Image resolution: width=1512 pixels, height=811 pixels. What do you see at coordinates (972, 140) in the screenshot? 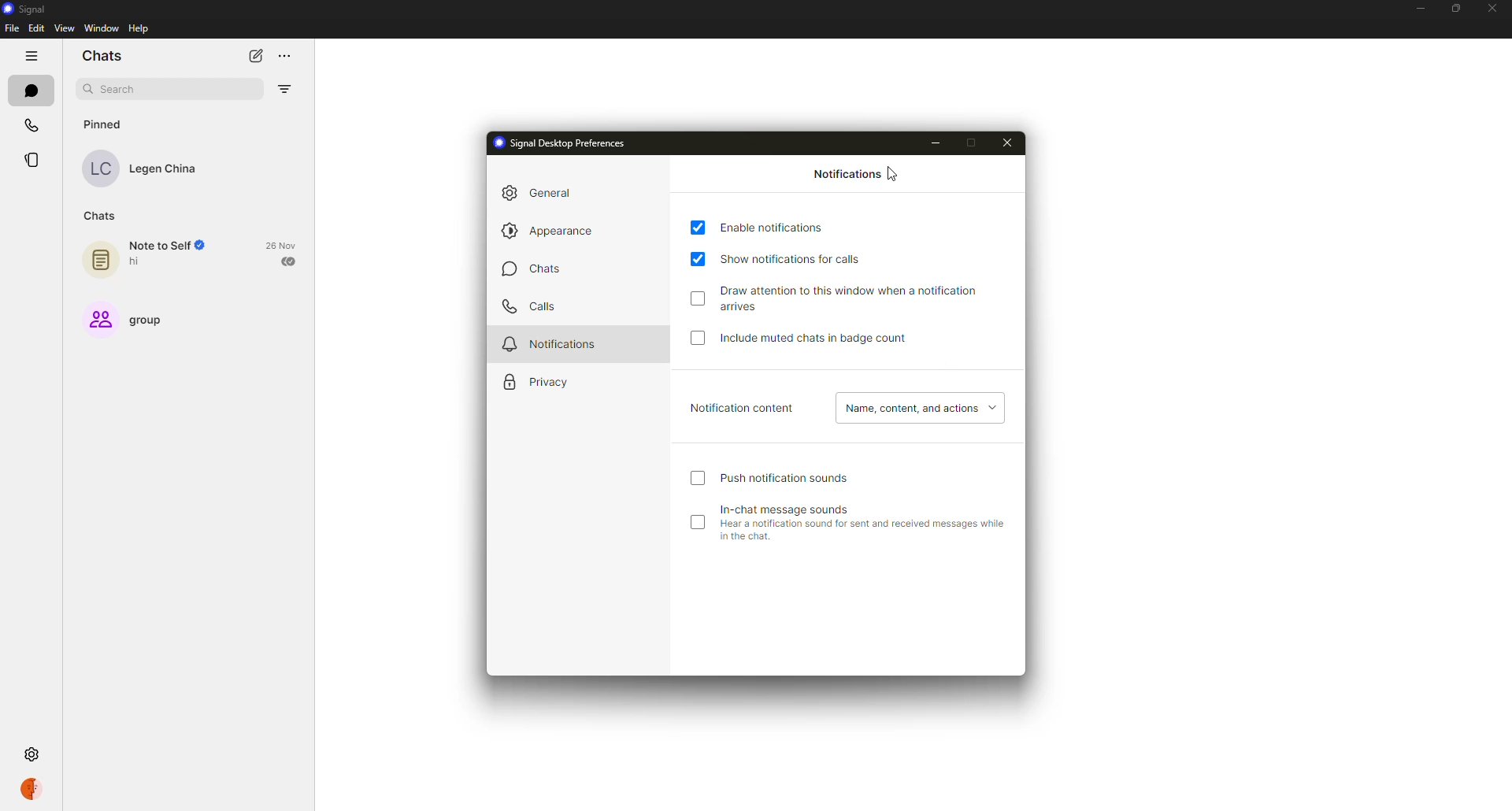
I see `maximize` at bounding box center [972, 140].